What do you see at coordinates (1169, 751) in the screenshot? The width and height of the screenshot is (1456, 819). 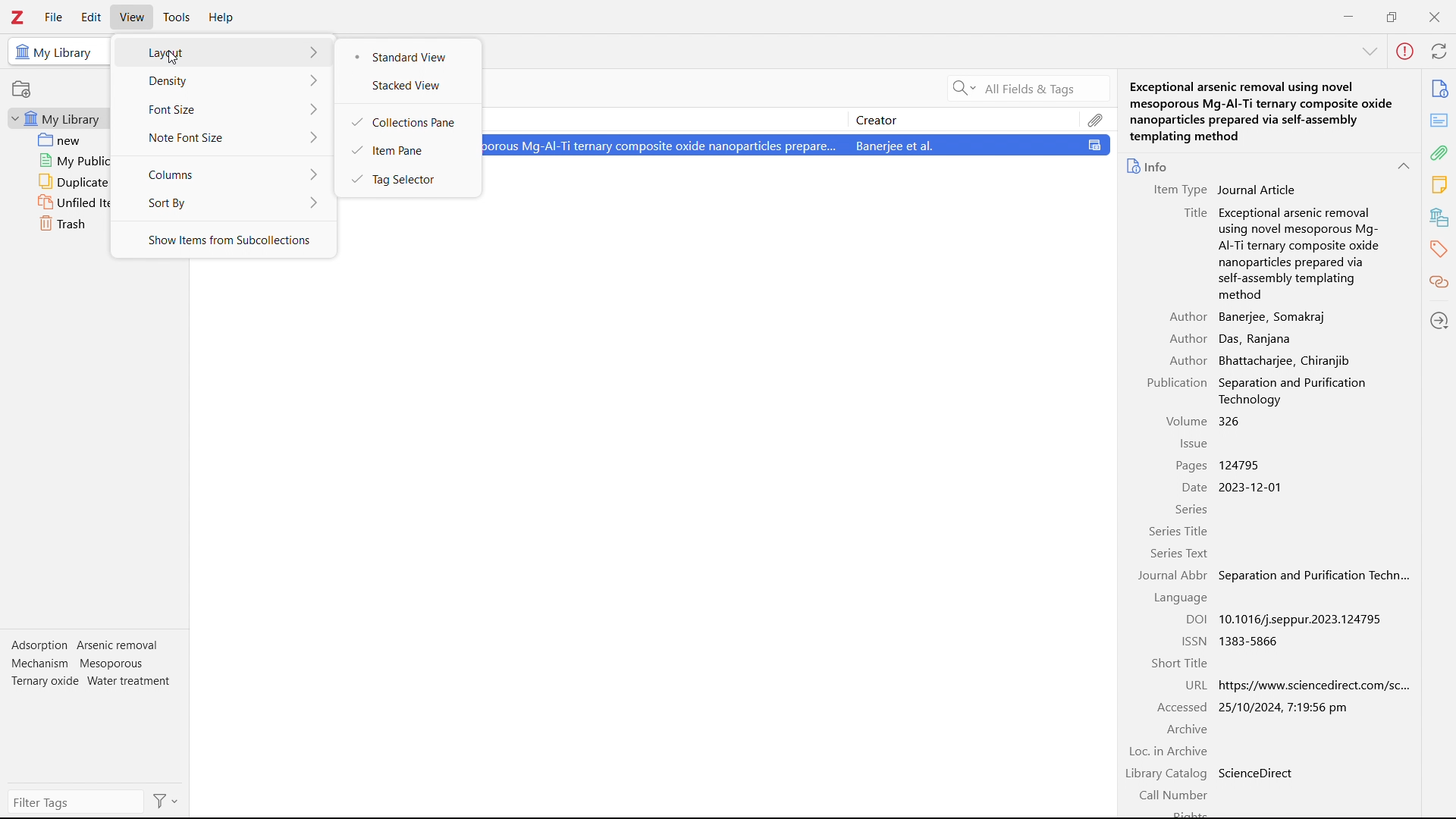 I see `Loc. in Archive` at bounding box center [1169, 751].